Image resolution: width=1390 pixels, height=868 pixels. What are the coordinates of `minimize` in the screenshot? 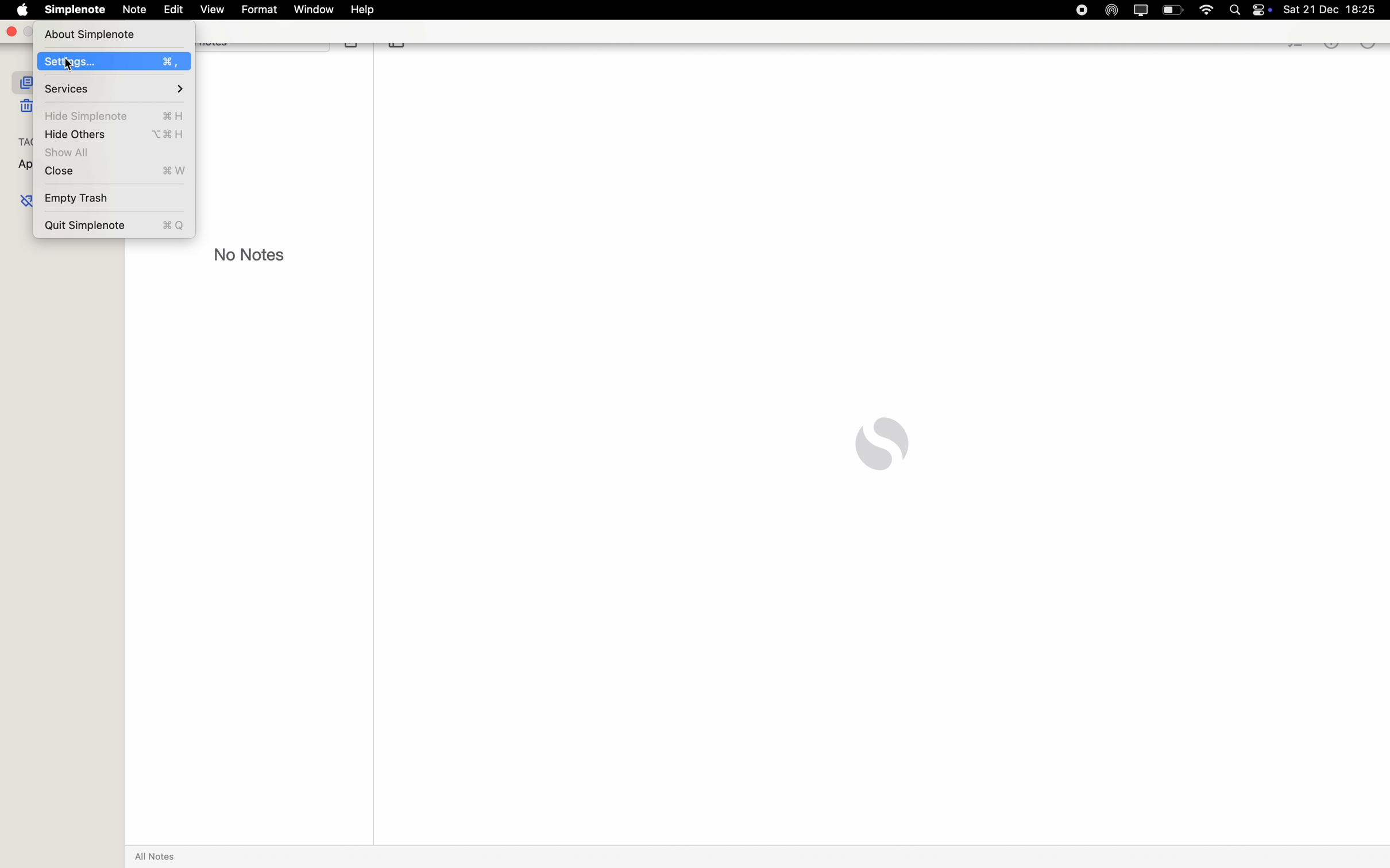 It's located at (30, 32).